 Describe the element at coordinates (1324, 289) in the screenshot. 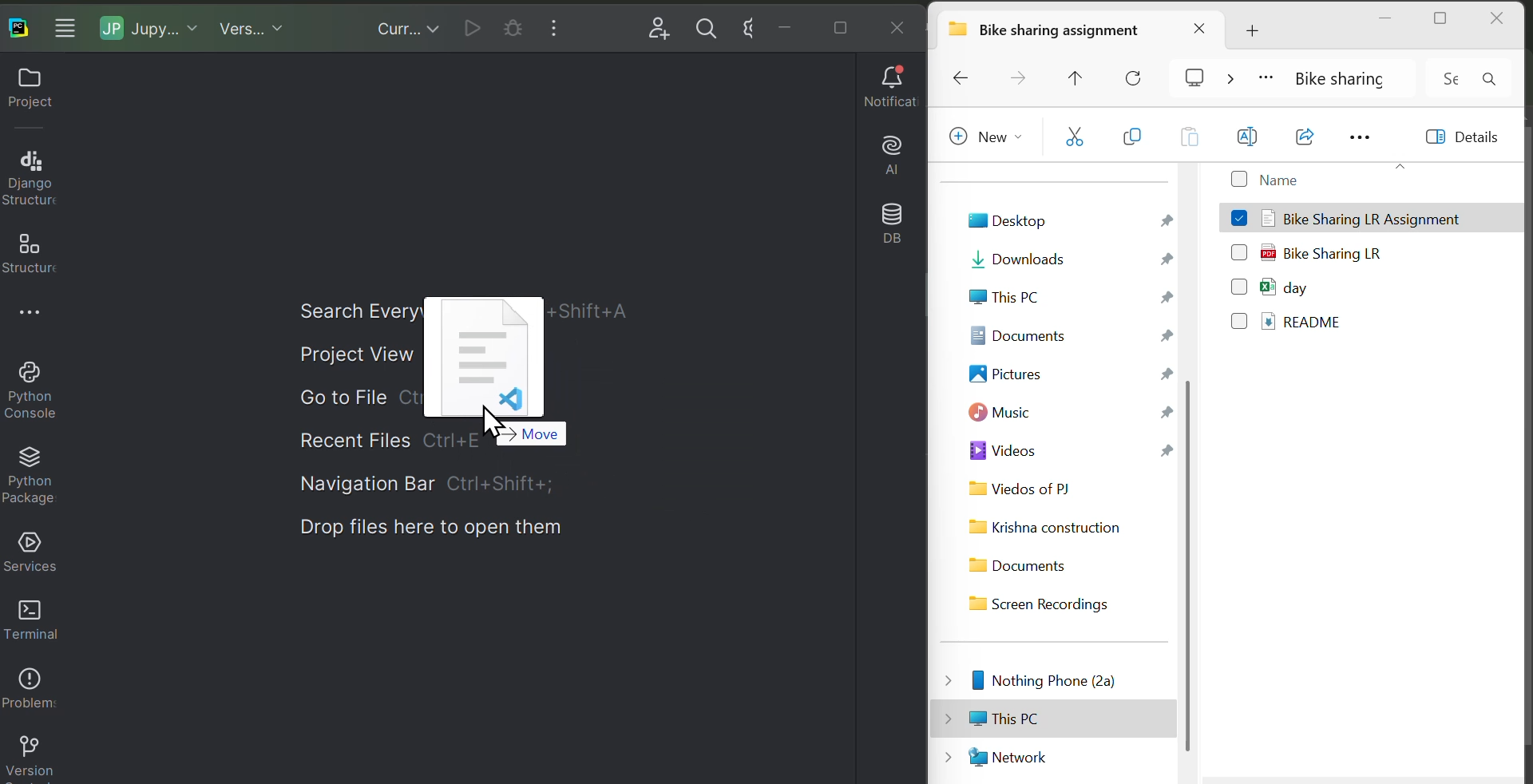

I see `day` at that location.